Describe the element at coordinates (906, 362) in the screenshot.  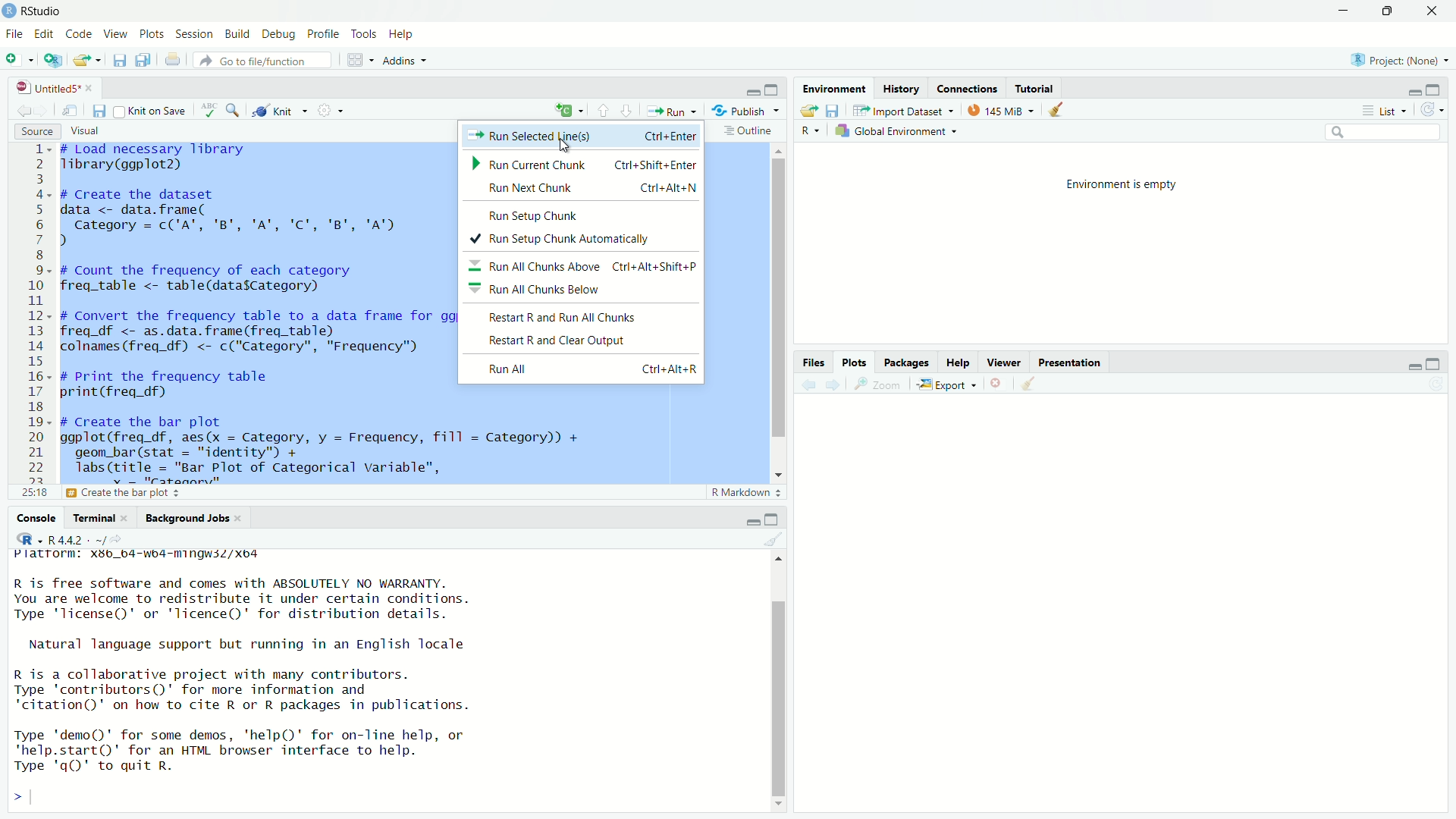
I see `packages` at that location.